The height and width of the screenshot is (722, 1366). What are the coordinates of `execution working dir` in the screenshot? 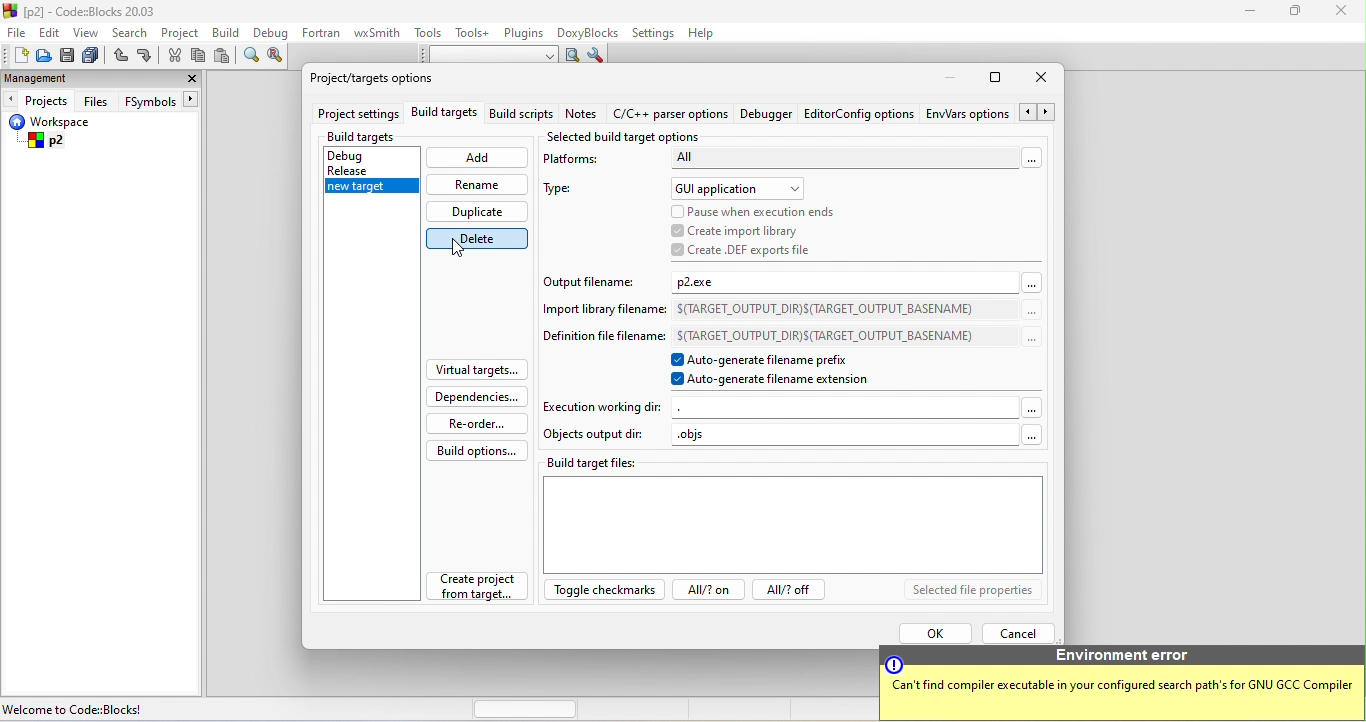 It's located at (793, 407).